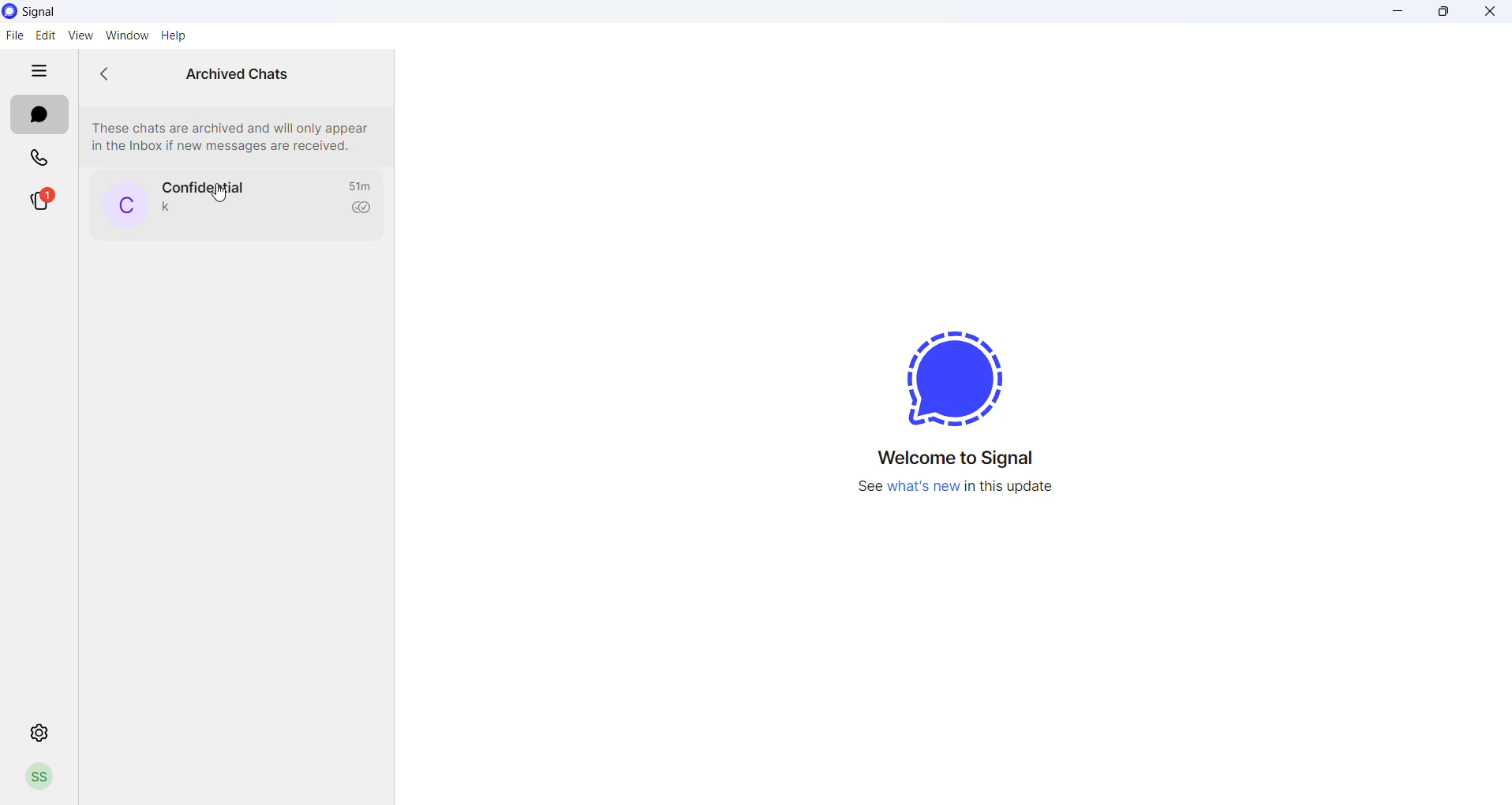  I want to click on read recipient, so click(362, 208).